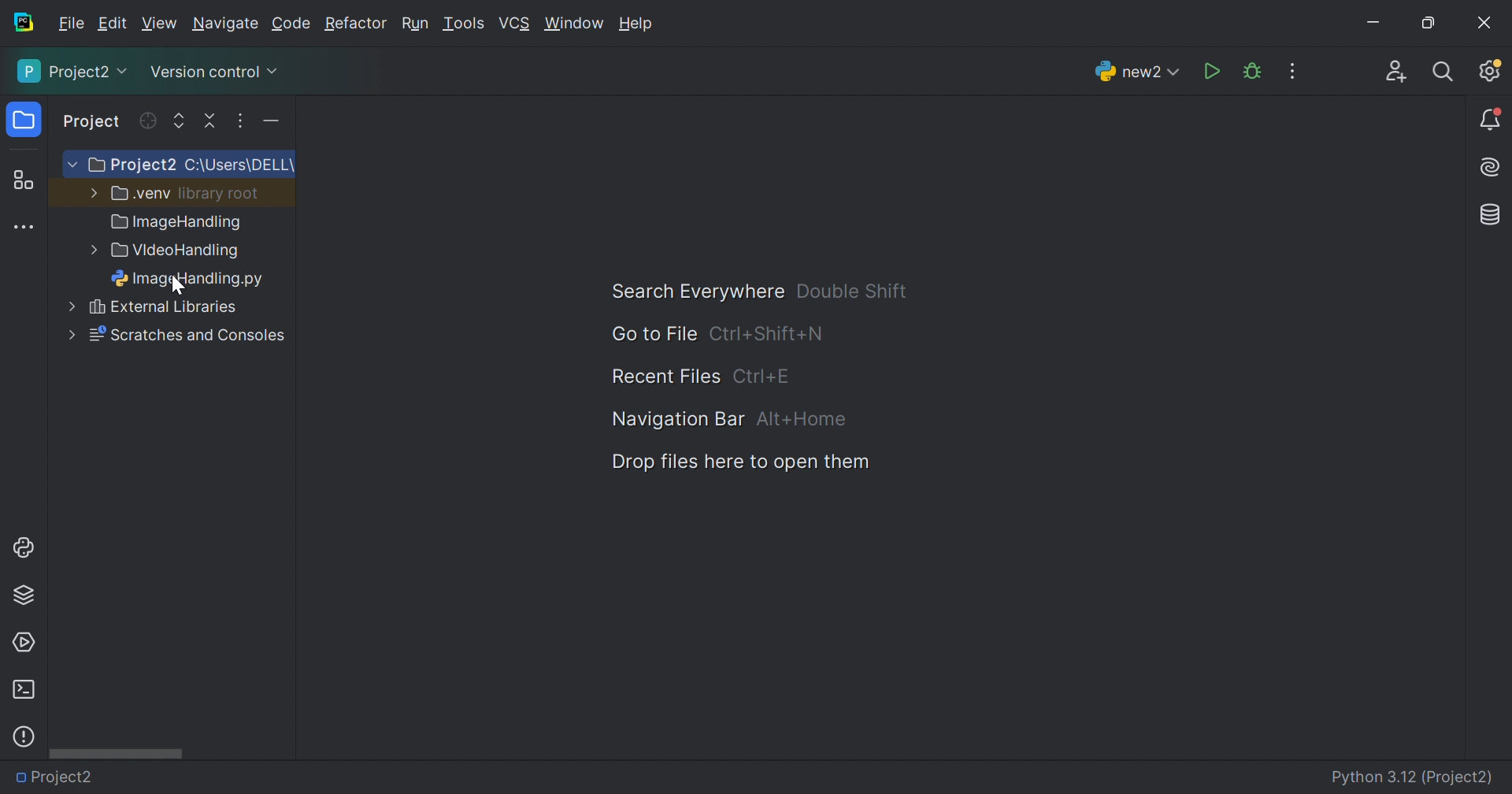 This screenshot has height=794, width=1512. Describe the element at coordinates (141, 194) in the screenshot. I see `.venv` at that location.